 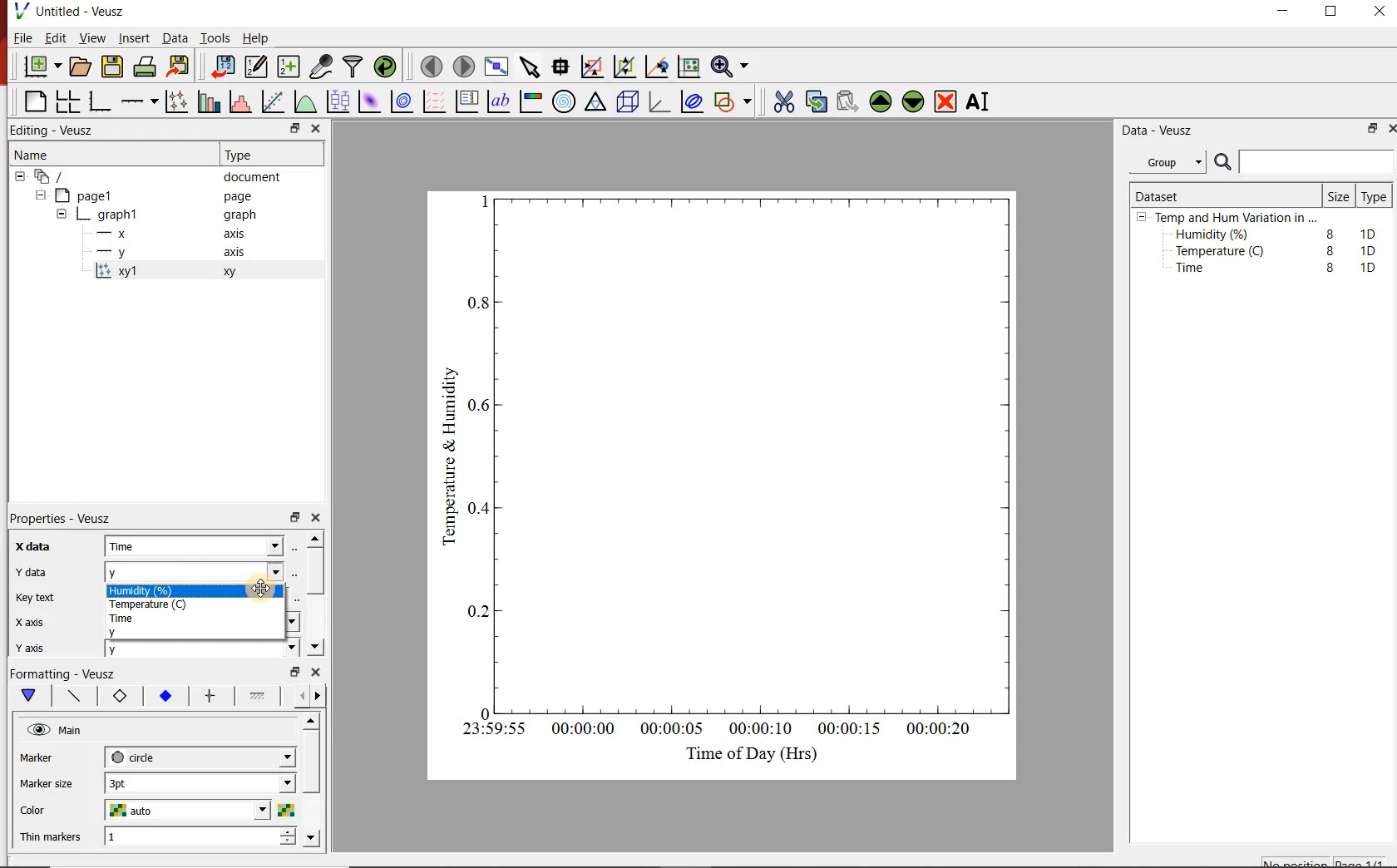 I want to click on blank page, so click(x=33, y=100).